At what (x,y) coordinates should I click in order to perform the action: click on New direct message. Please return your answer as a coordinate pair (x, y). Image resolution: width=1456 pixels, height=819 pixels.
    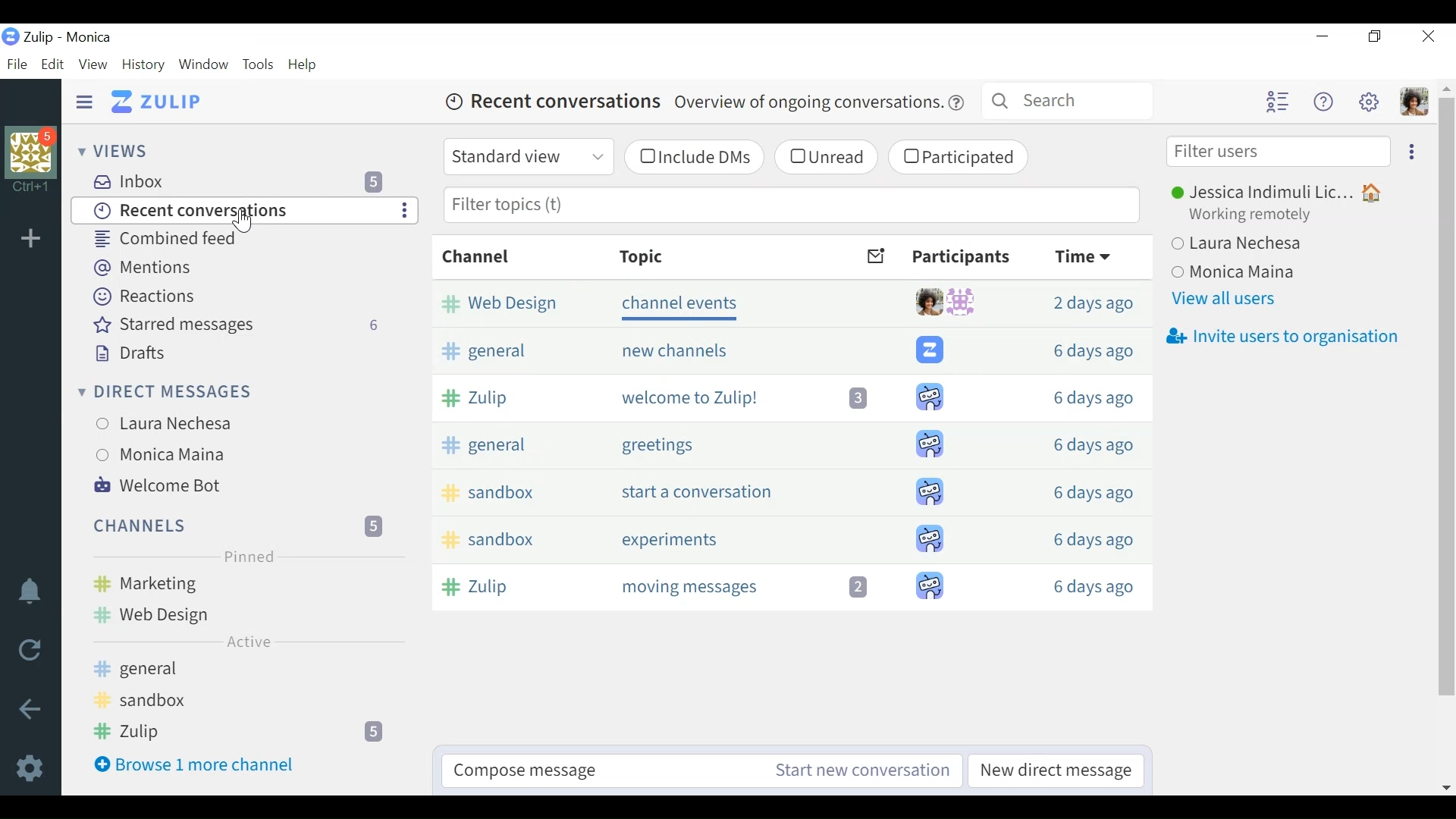
    Looking at the image, I should click on (1052, 771).